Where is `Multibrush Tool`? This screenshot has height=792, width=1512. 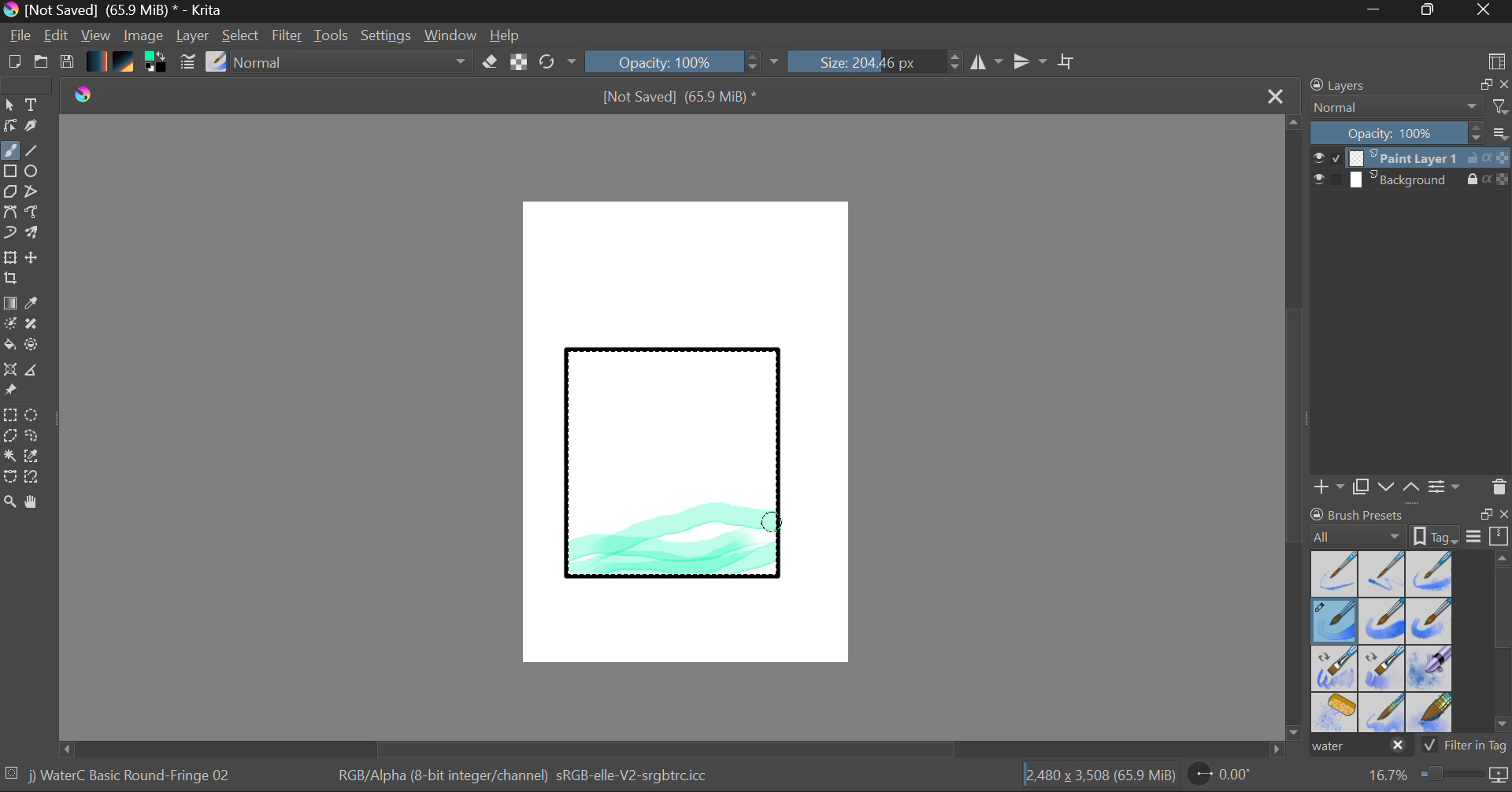
Multibrush Tool is located at coordinates (33, 235).